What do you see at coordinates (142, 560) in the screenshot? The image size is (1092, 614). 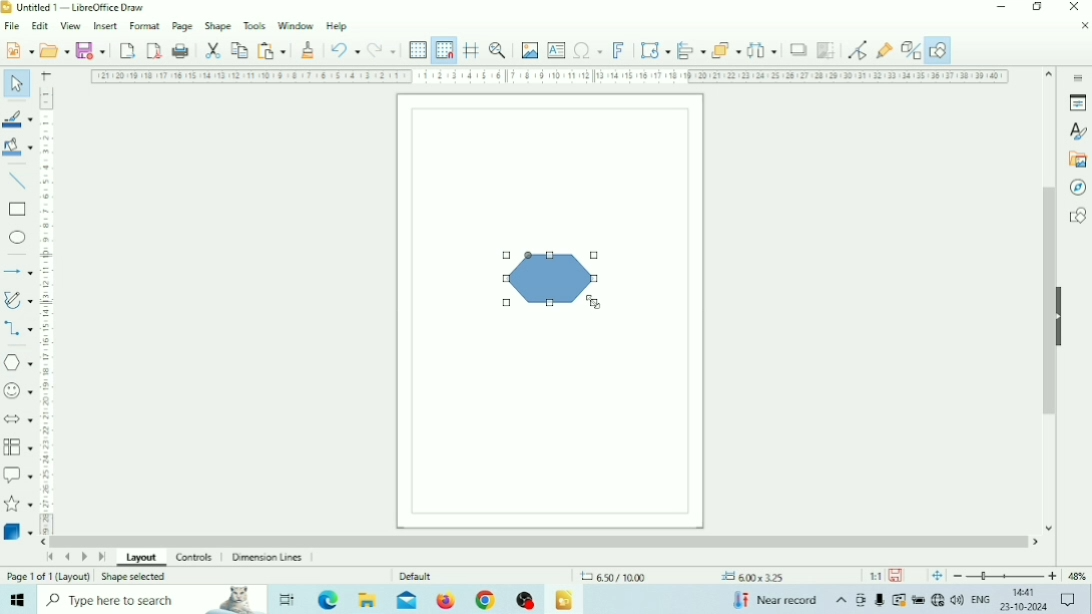 I see `Layout` at bounding box center [142, 560].